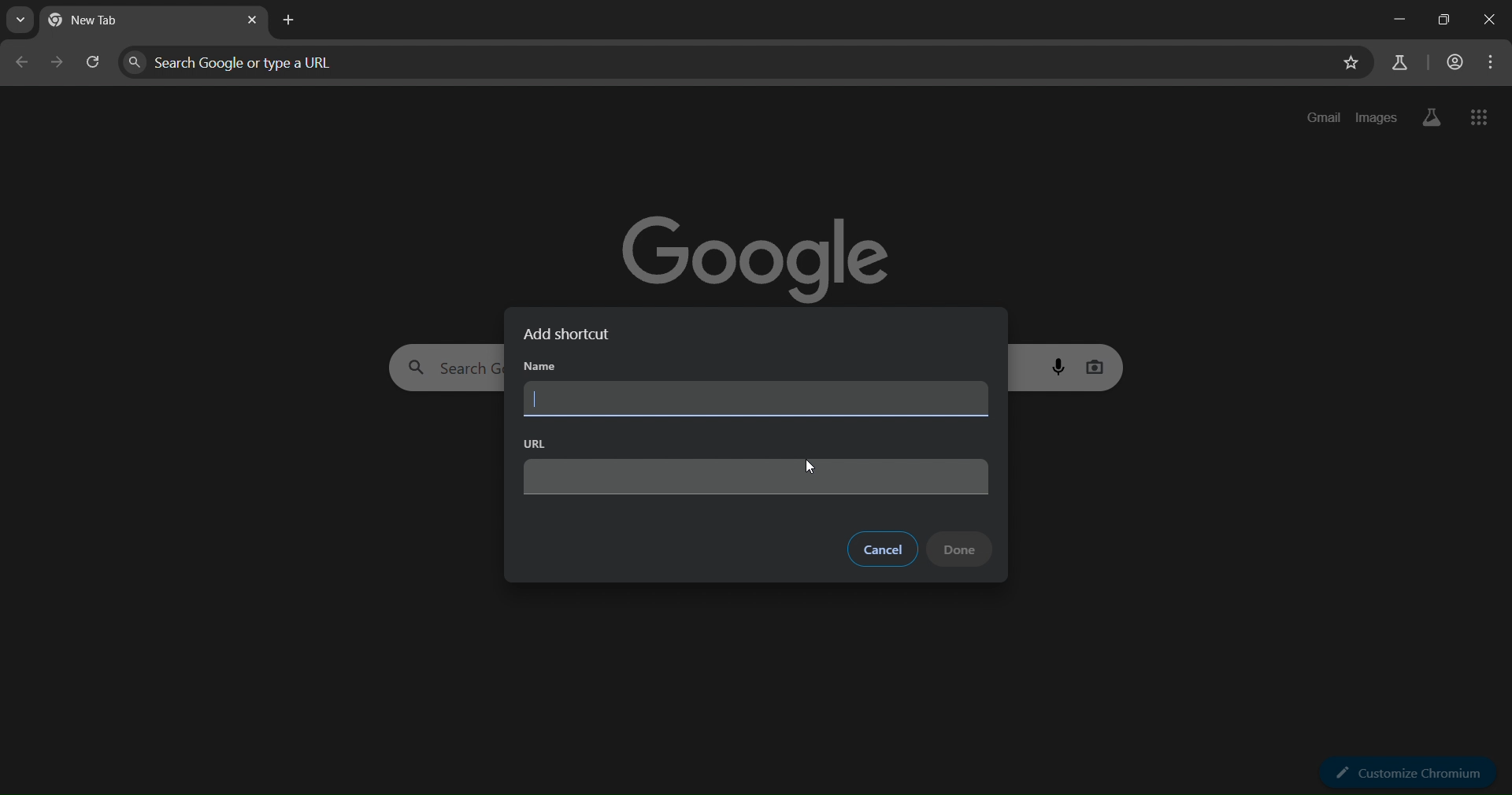 The height and width of the screenshot is (795, 1512). Describe the element at coordinates (757, 476) in the screenshot. I see `add URL` at that location.